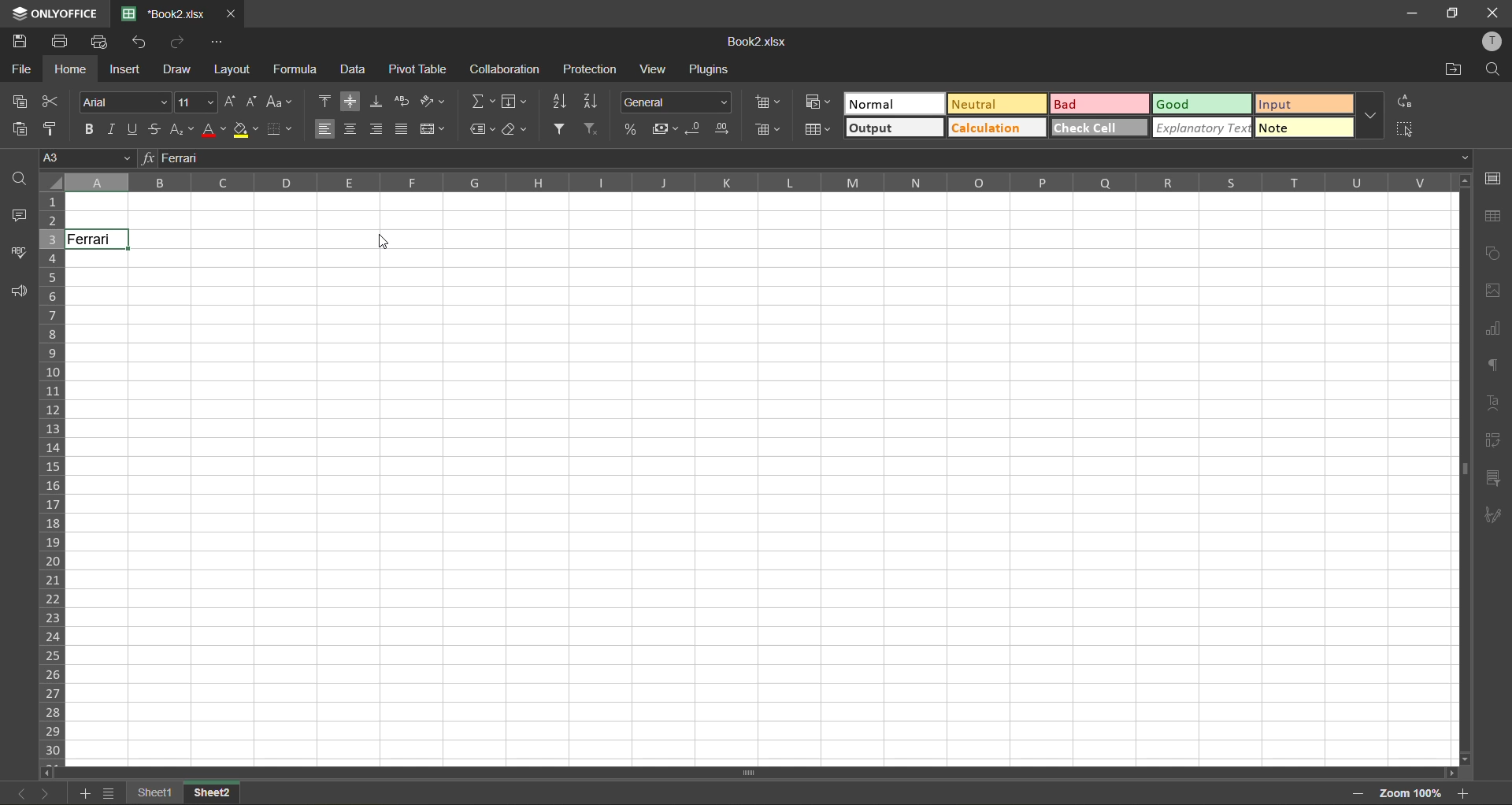  I want to click on align right, so click(378, 128).